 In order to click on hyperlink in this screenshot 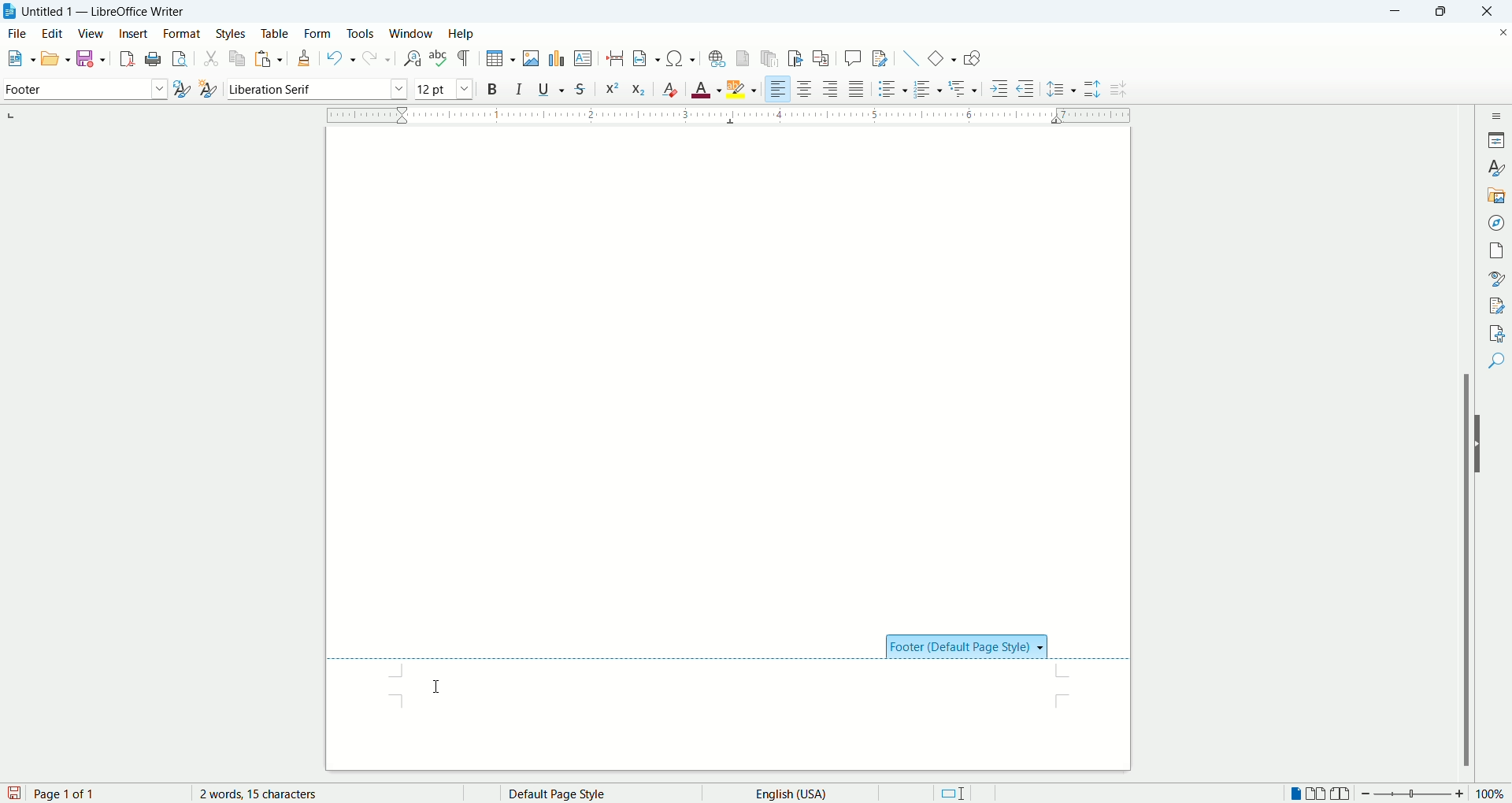, I will do `click(717, 58)`.